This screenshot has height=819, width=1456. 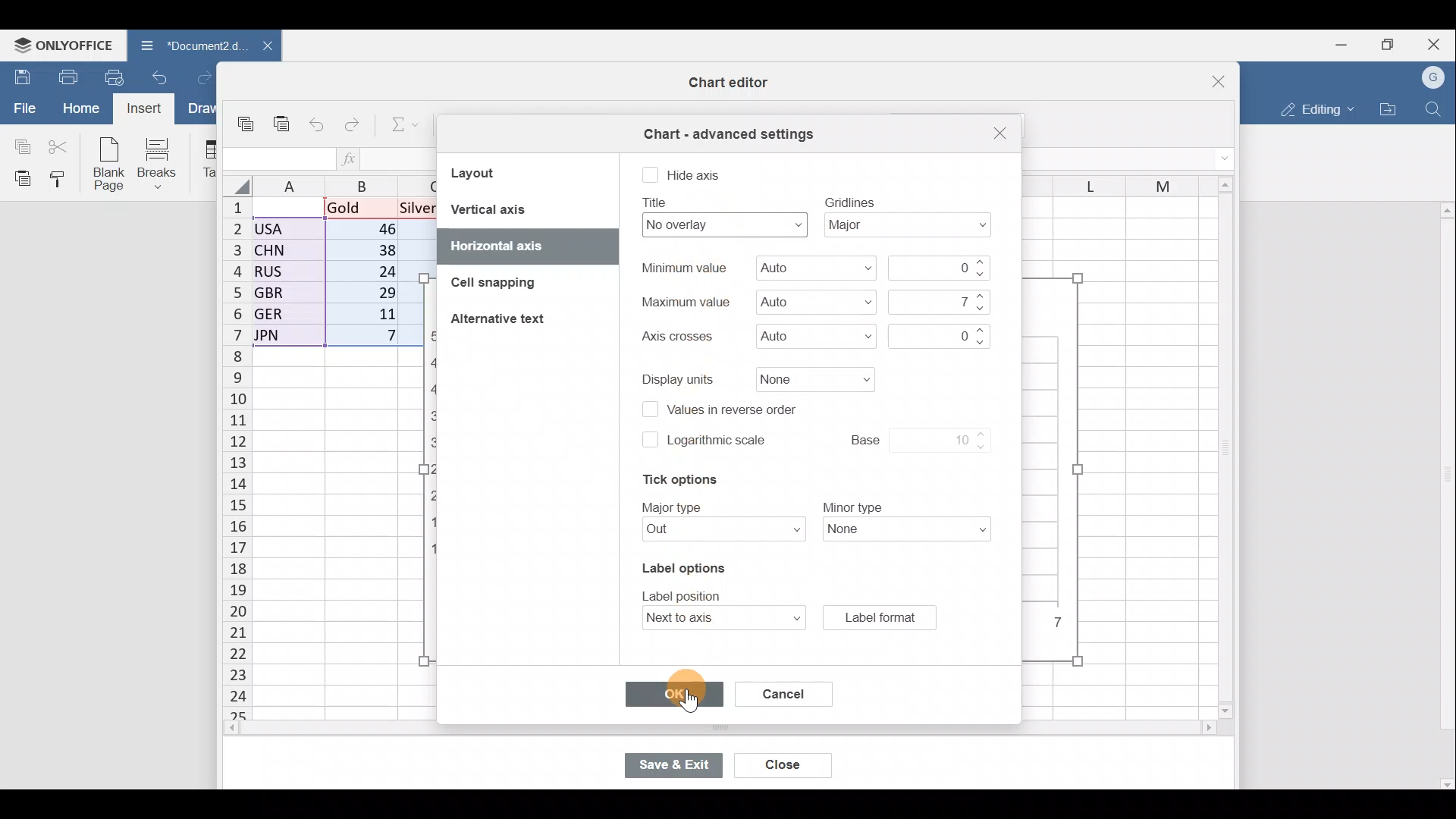 What do you see at coordinates (650, 176) in the screenshot?
I see `checkbox` at bounding box center [650, 176].